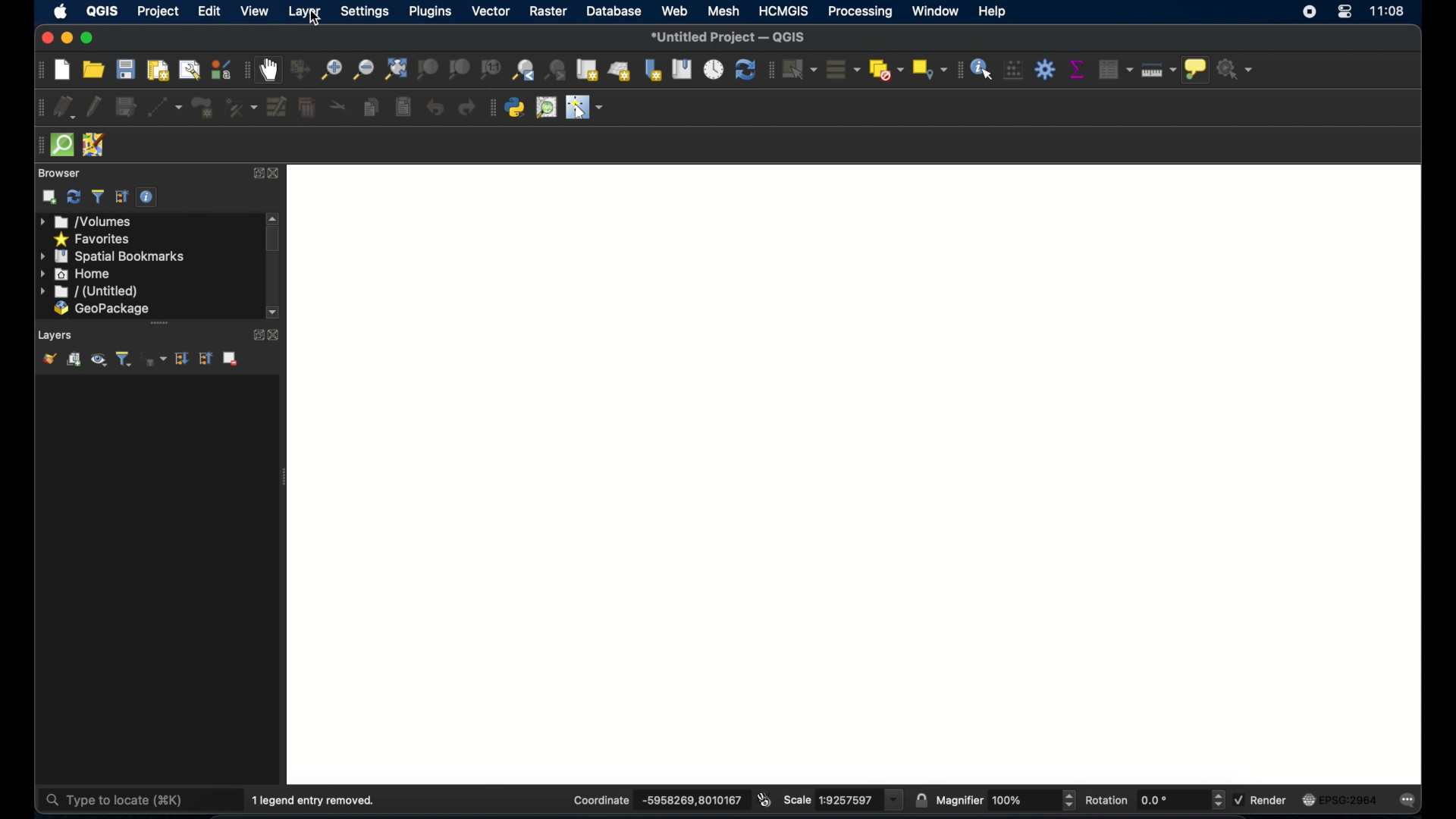 Image resolution: width=1456 pixels, height=819 pixels. I want to click on expand all, so click(183, 359).